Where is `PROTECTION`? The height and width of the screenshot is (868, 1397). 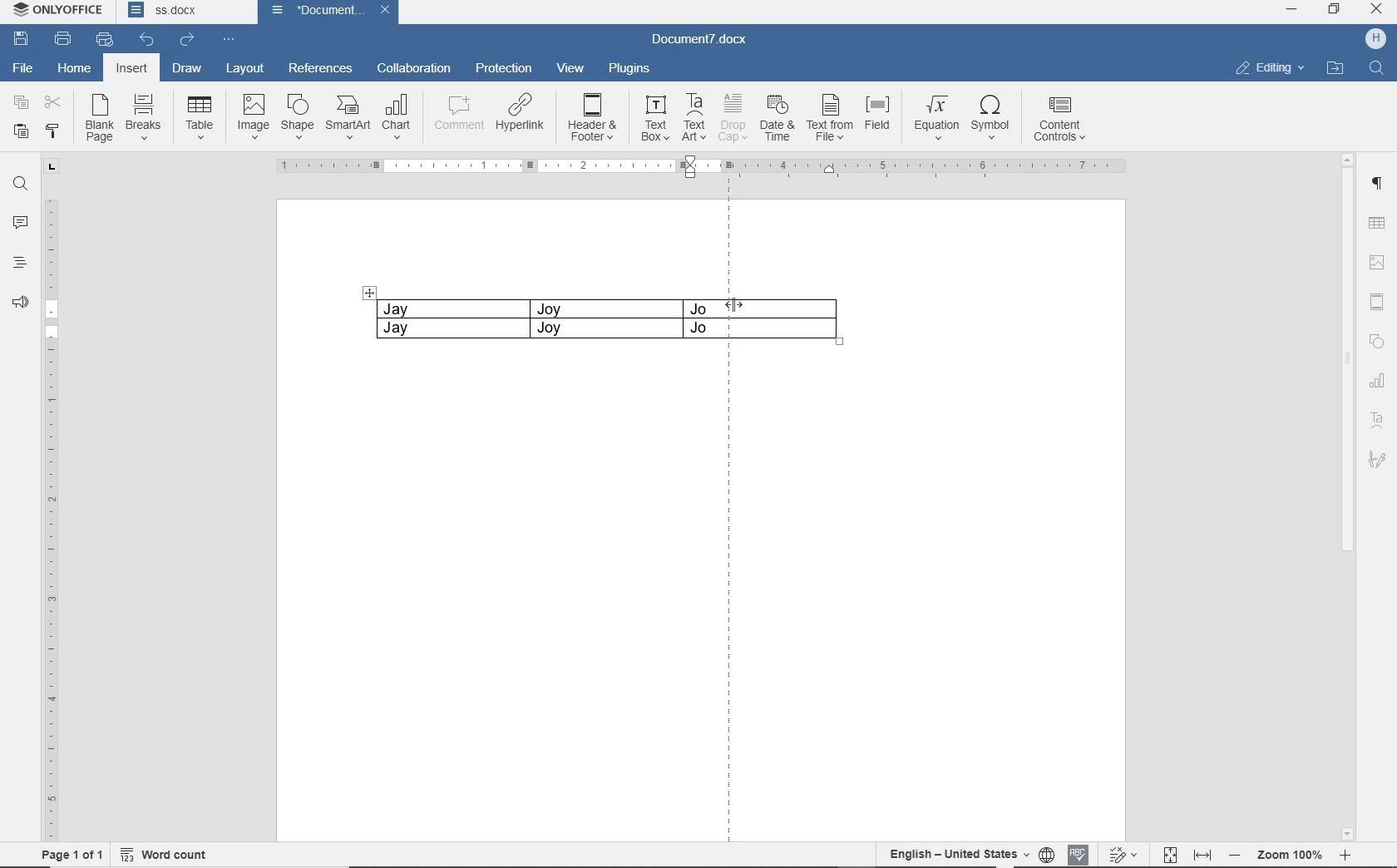 PROTECTION is located at coordinates (502, 68).